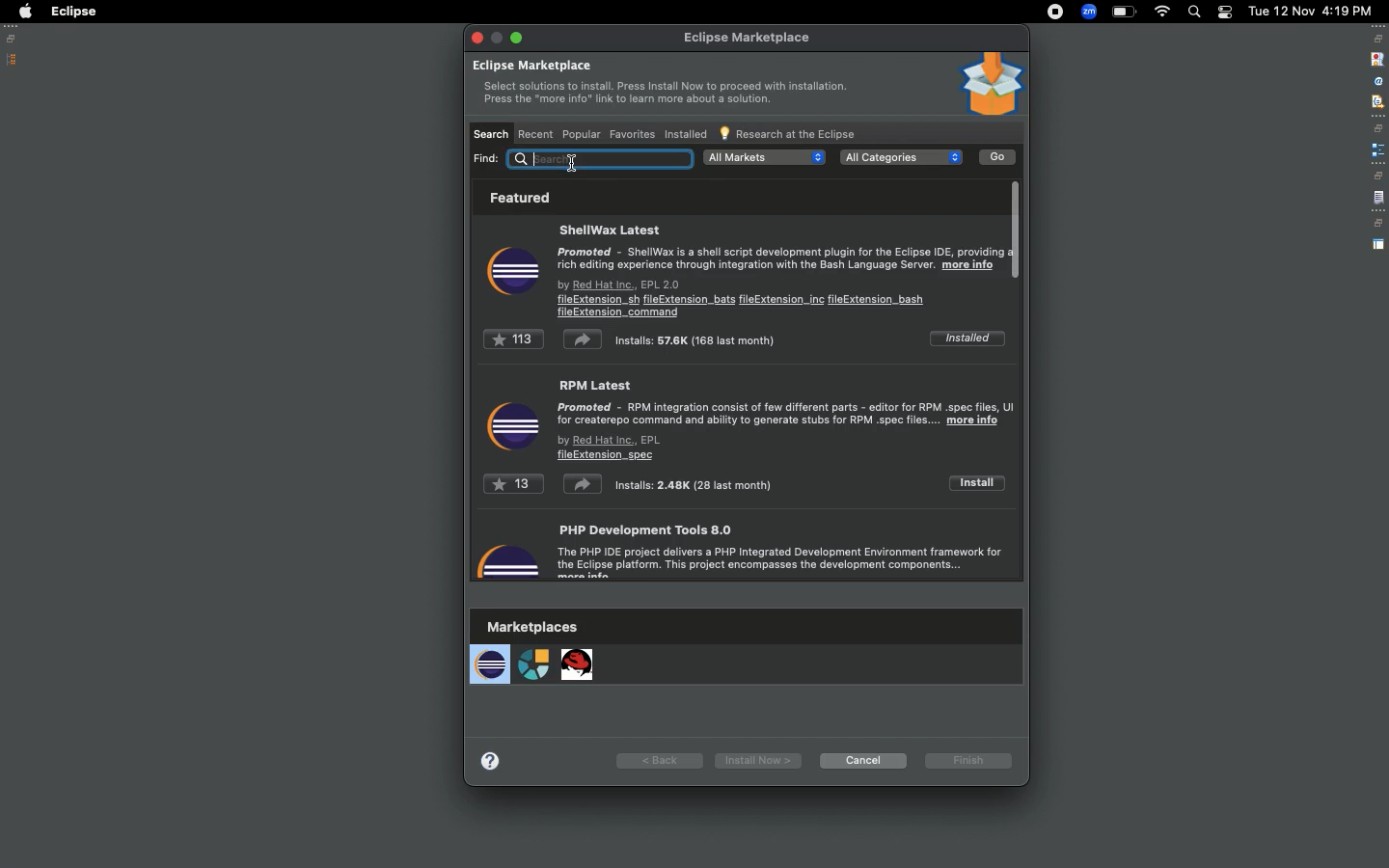 Image resolution: width=1389 pixels, height=868 pixels. Describe the element at coordinates (630, 132) in the screenshot. I see `Favorites` at that location.